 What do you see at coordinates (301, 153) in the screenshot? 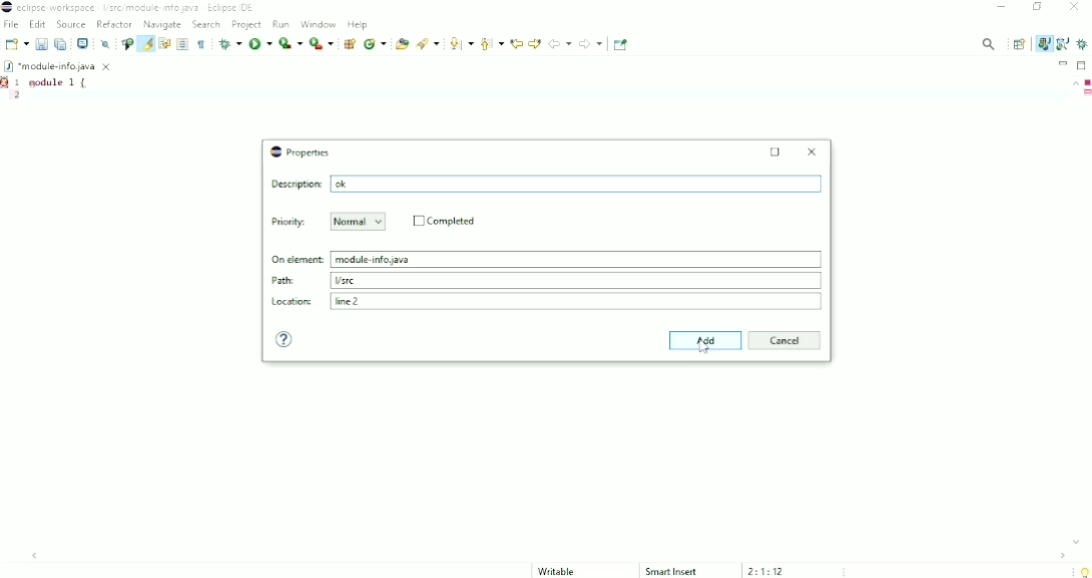
I see `Properties` at bounding box center [301, 153].